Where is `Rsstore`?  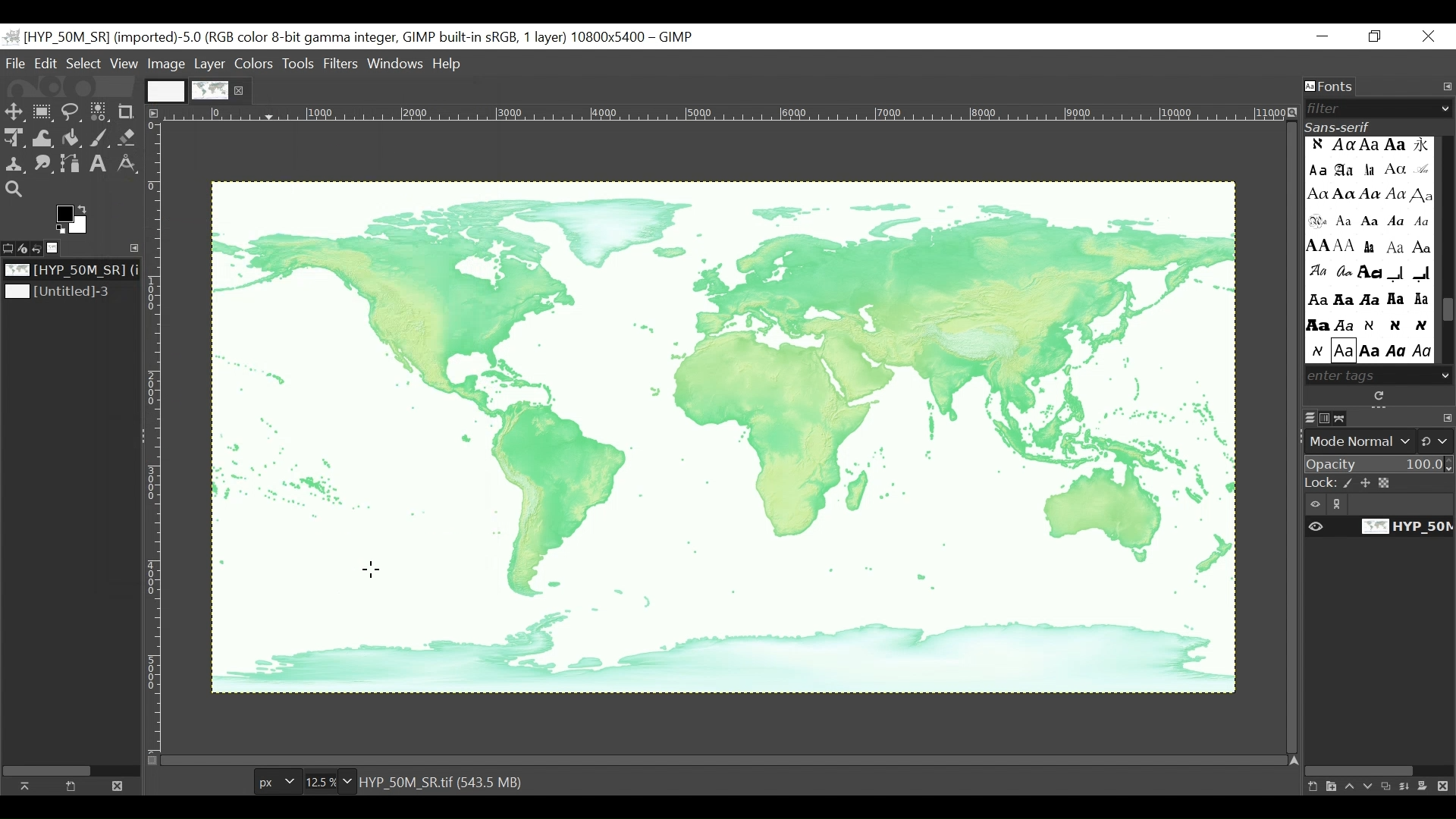 Rsstore is located at coordinates (1375, 37).